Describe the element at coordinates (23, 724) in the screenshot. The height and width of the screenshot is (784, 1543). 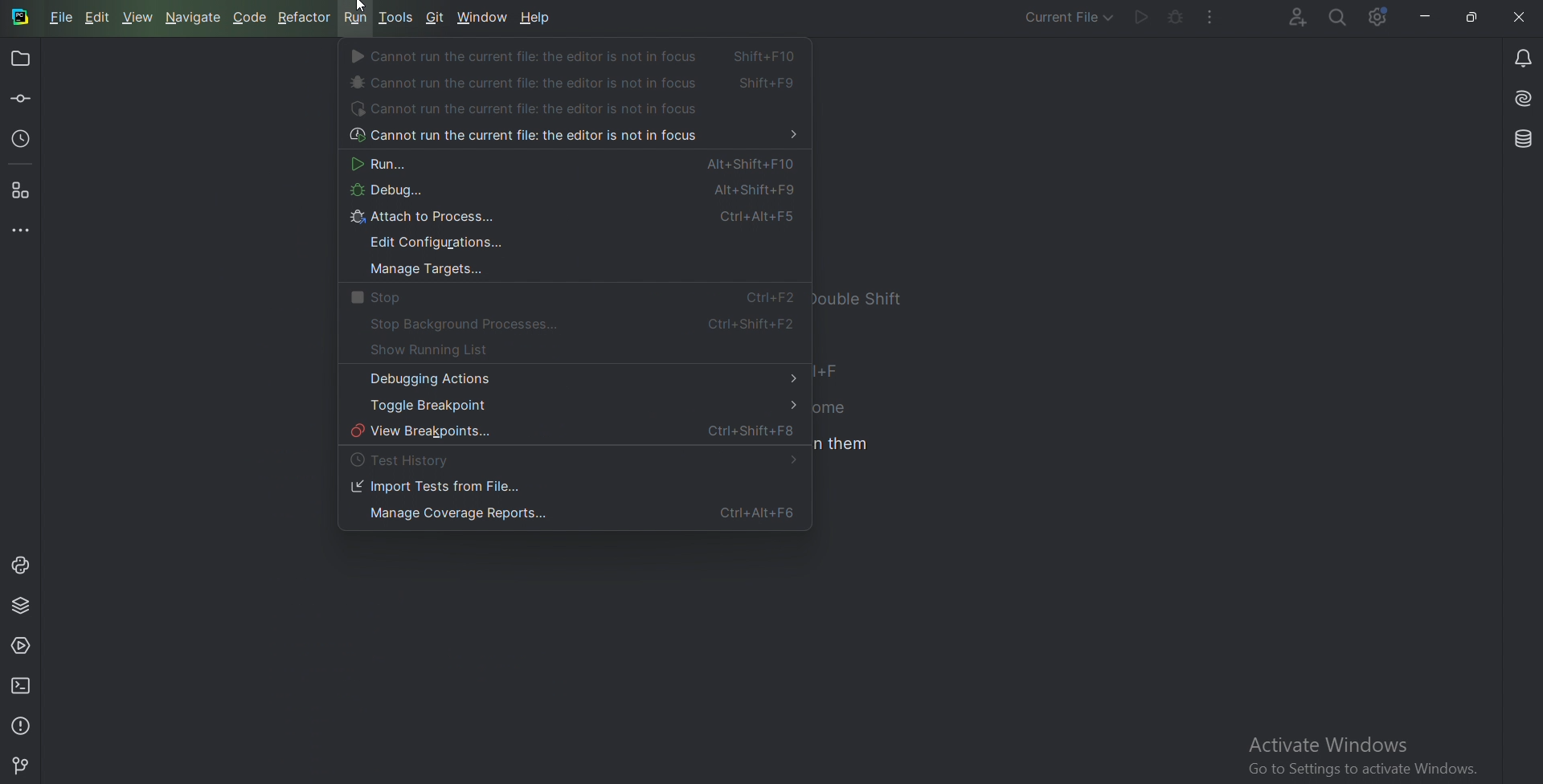
I see `Problems` at that location.